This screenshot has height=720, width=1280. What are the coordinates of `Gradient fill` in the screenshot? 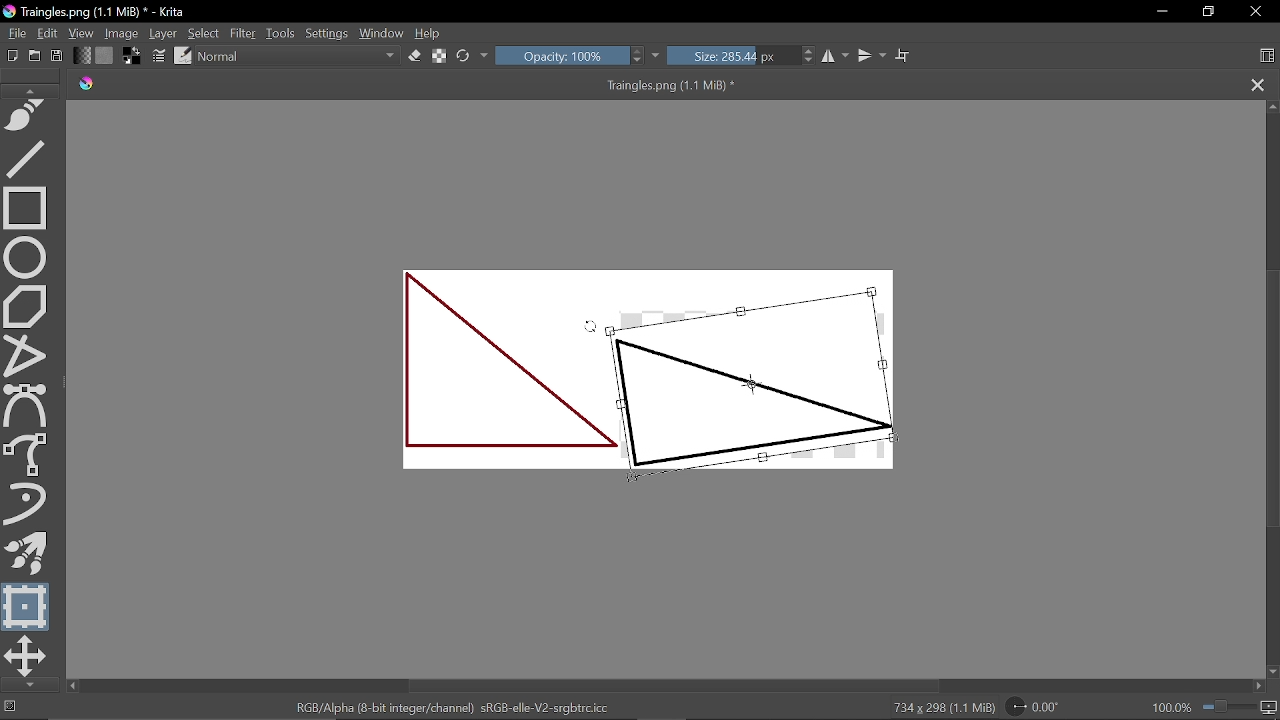 It's located at (81, 56).